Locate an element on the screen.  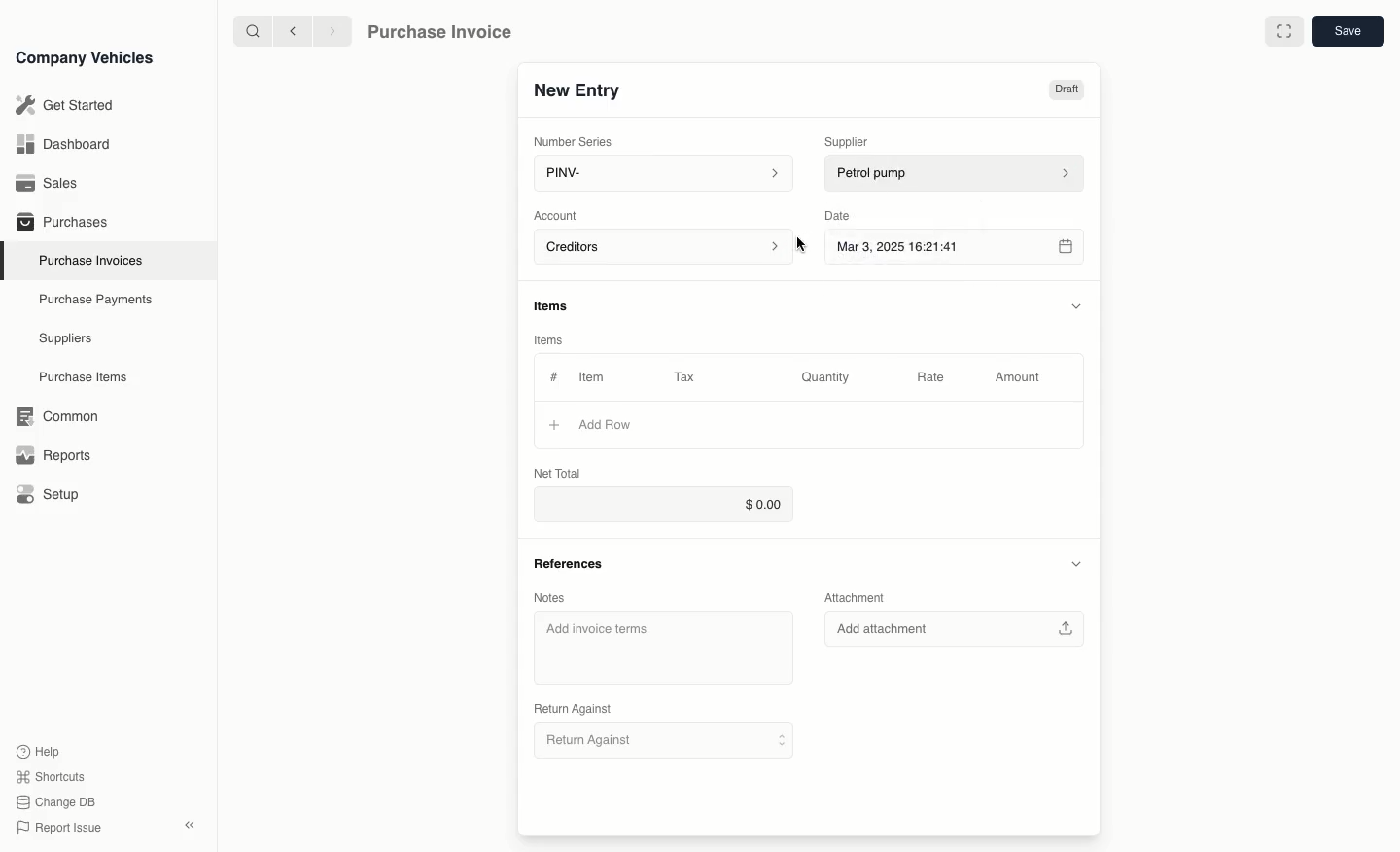
Suppliers is located at coordinates (64, 339).